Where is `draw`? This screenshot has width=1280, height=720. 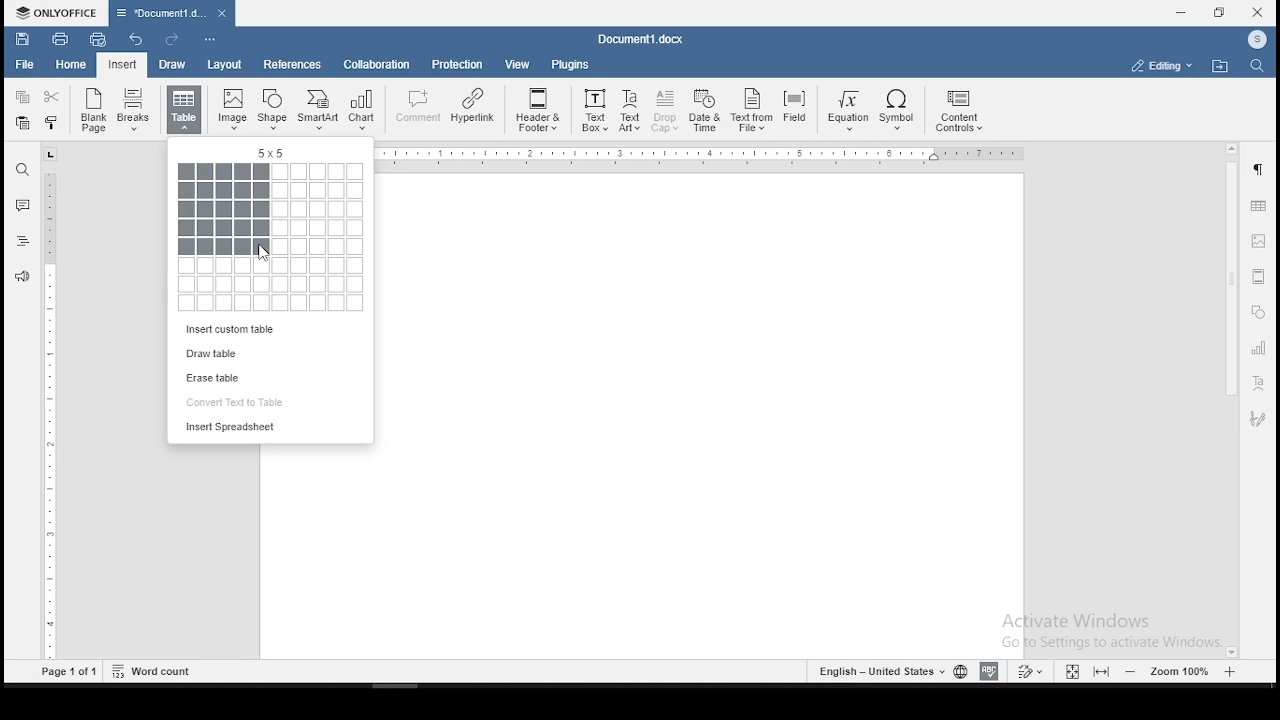 draw is located at coordinates (172, 66).